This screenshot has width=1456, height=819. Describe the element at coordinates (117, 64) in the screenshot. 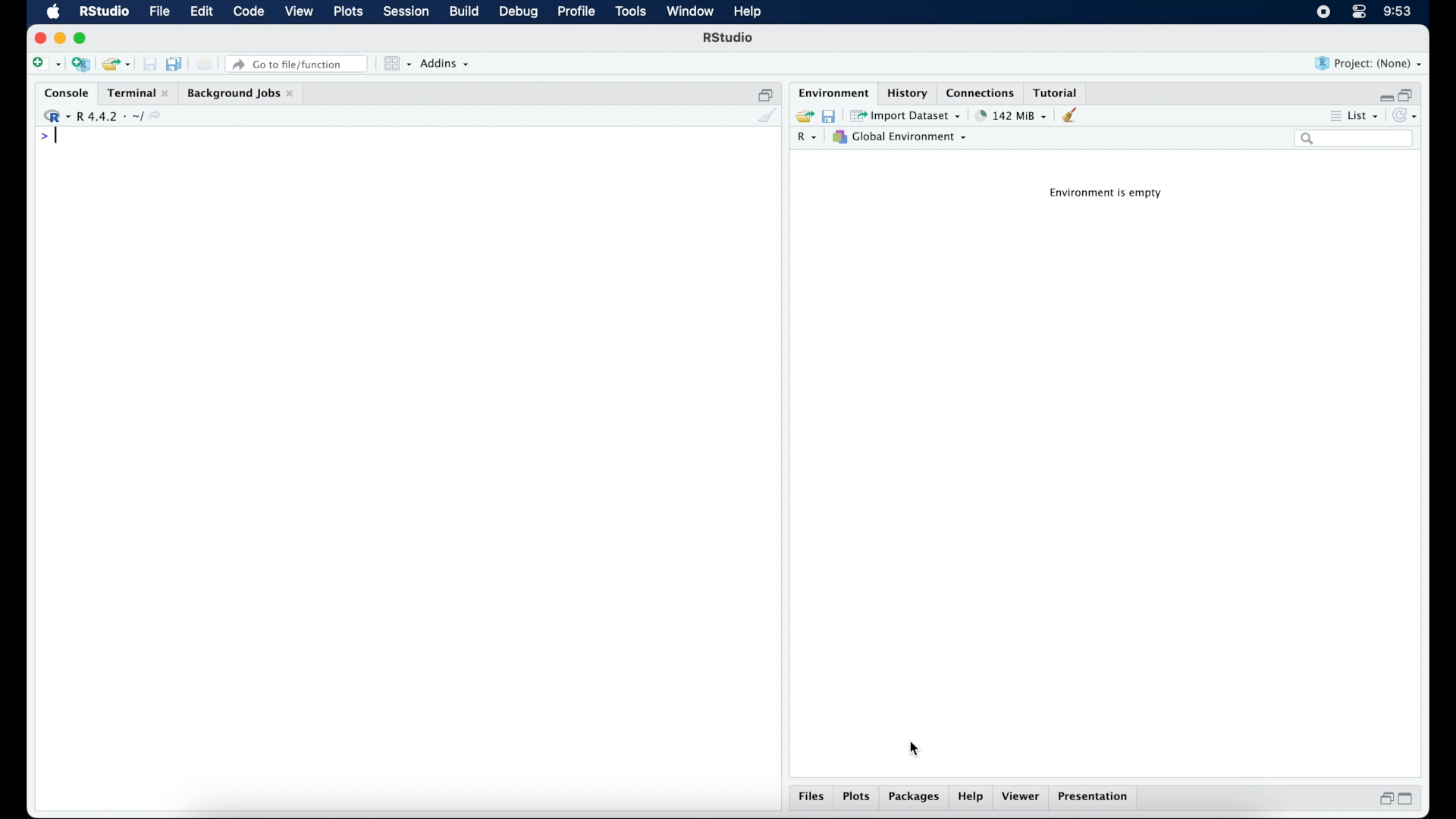

I see `open an existing project` at that location.